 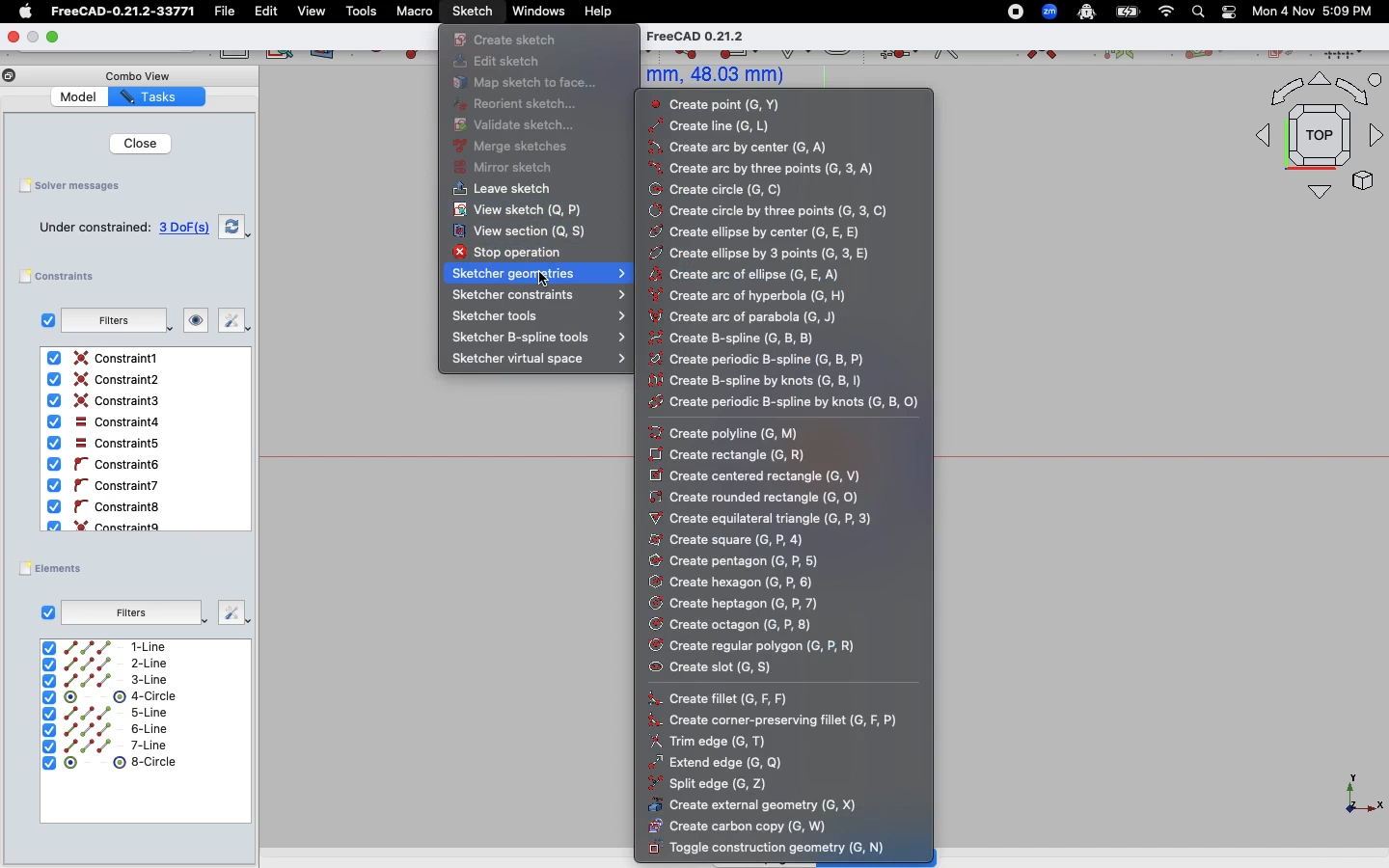 What do you see at coordinates (118, 680) in the screenshot?
I see `3-Line` at bounding box center [118, 680].